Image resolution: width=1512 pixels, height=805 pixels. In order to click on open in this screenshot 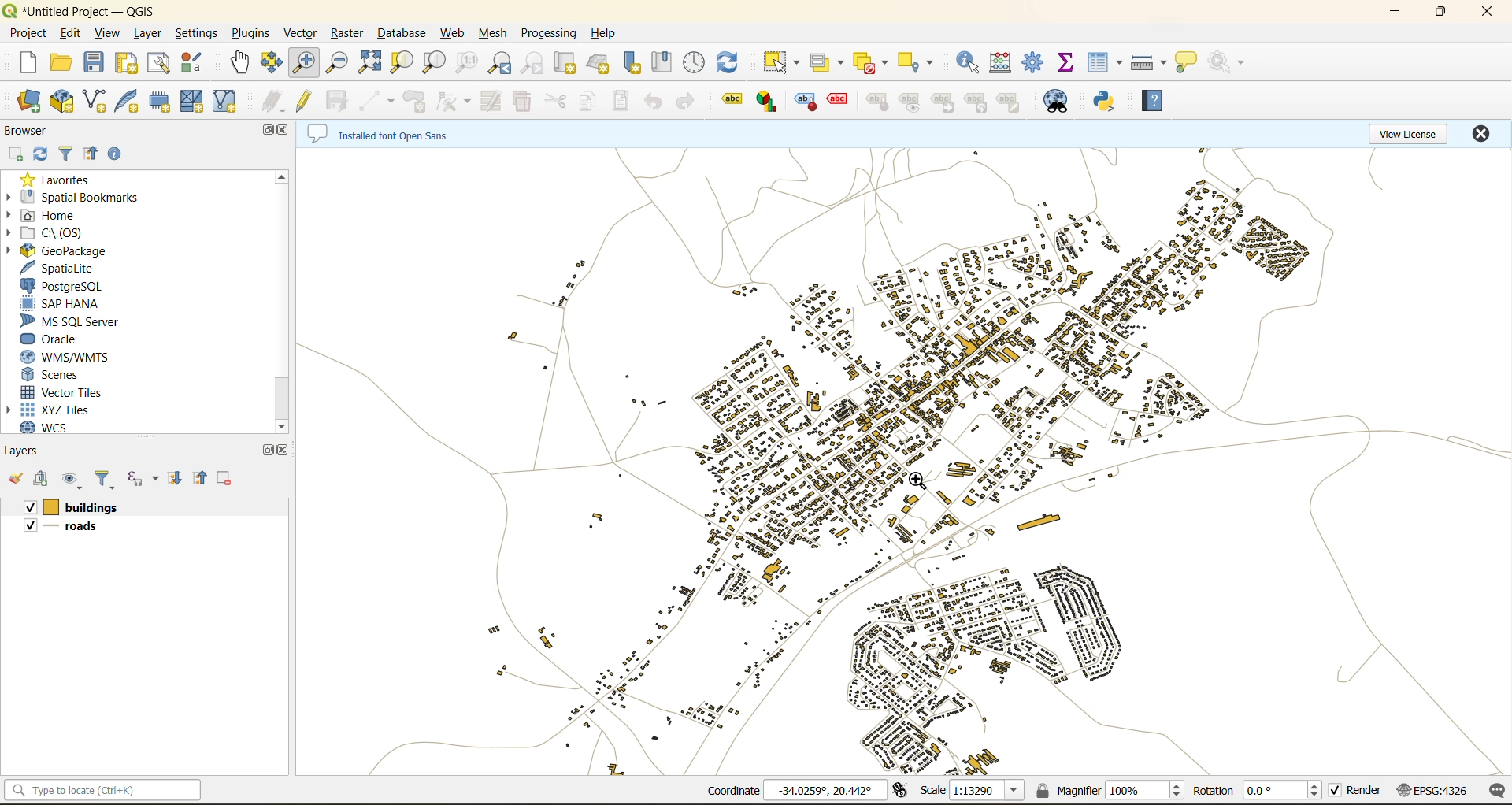, I will do `click(15, 480)`.